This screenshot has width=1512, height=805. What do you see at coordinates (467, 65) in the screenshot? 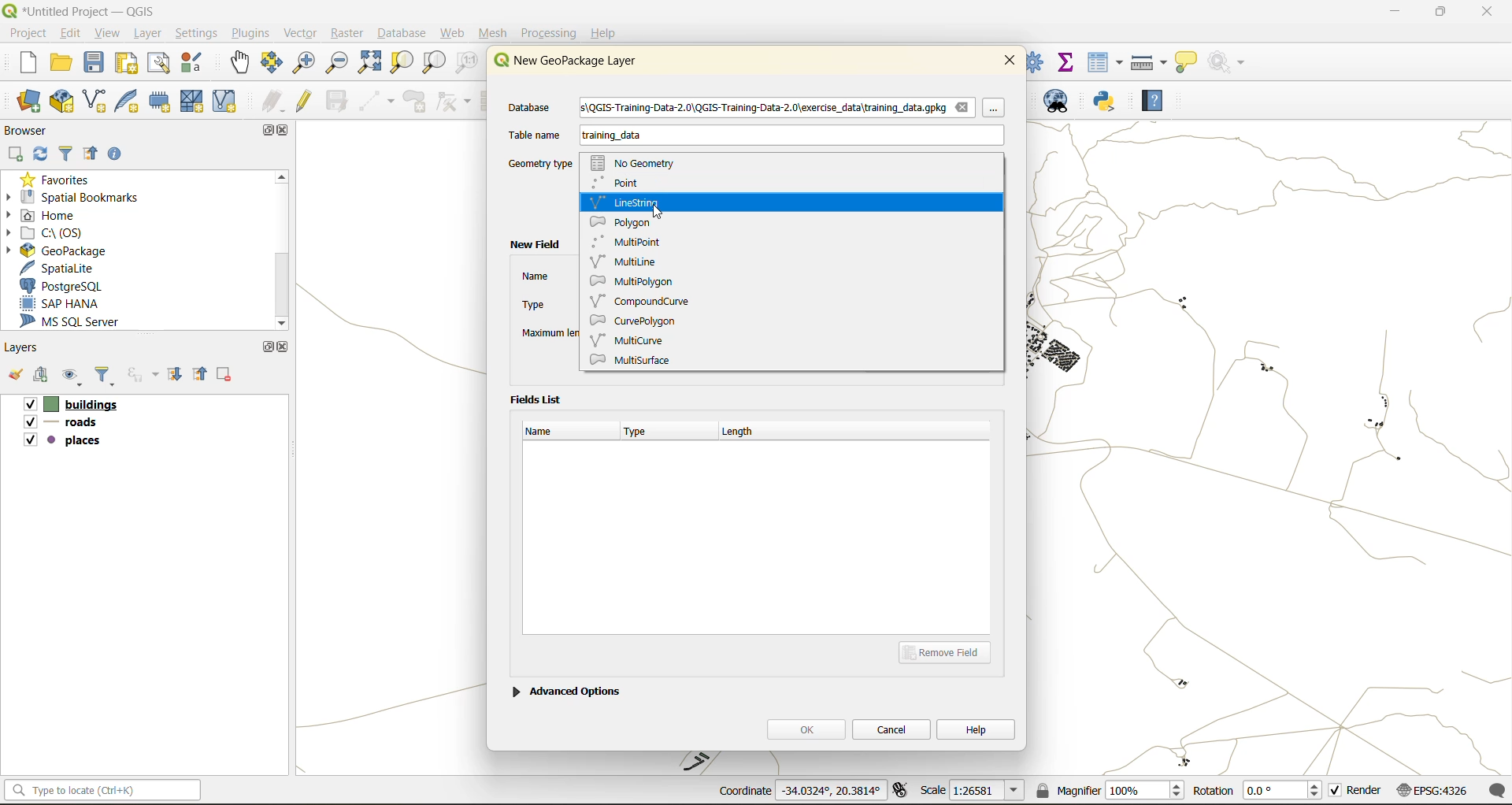
I see `zoom native` at bounding box center [467, 65].